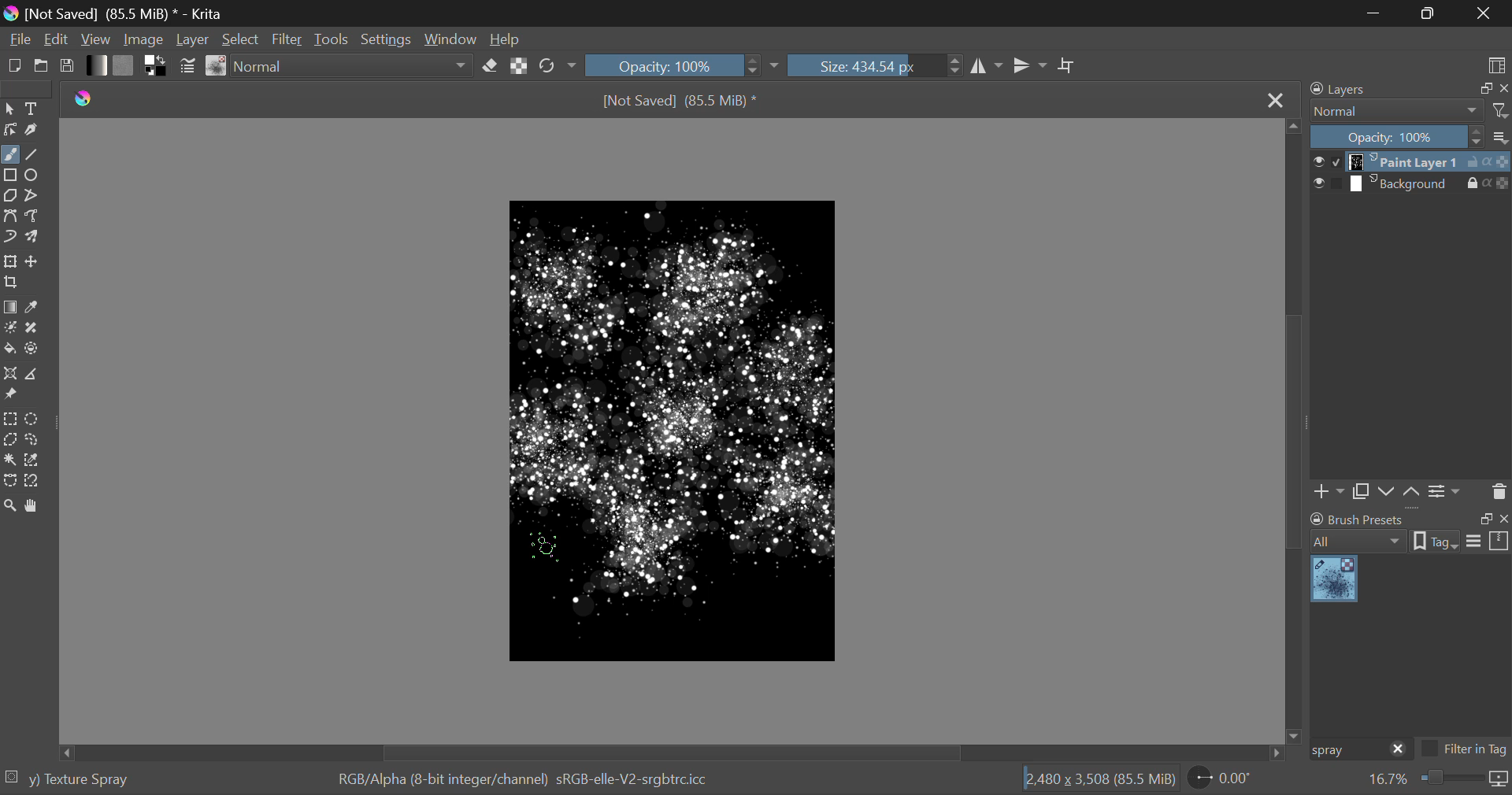 This screenshot has width=1512, height=795. Describe the element at coordinates (1347, 88) in the screenshot. I see `Layers` at that location.